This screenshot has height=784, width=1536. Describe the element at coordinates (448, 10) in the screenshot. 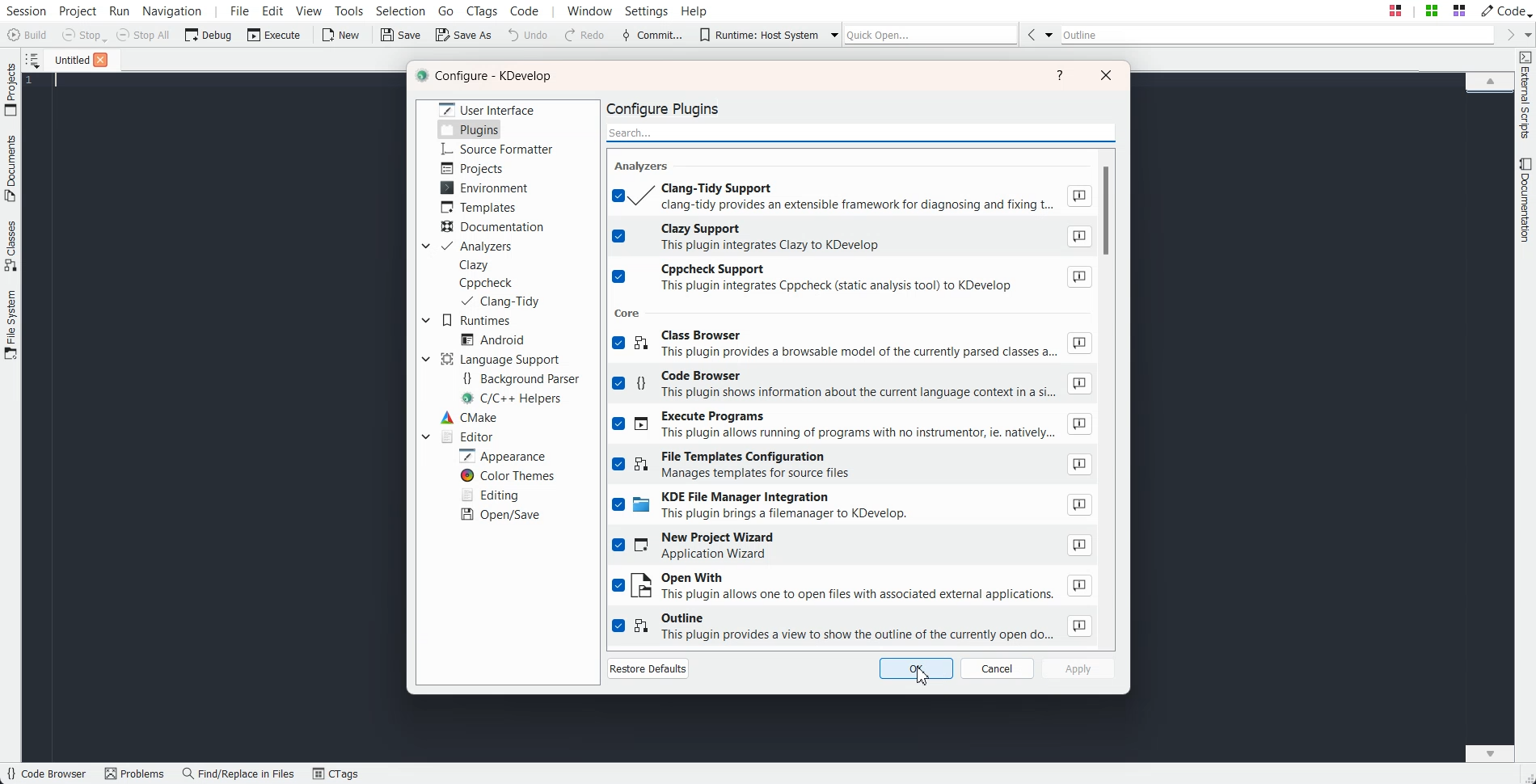

I see `Go` at that location.